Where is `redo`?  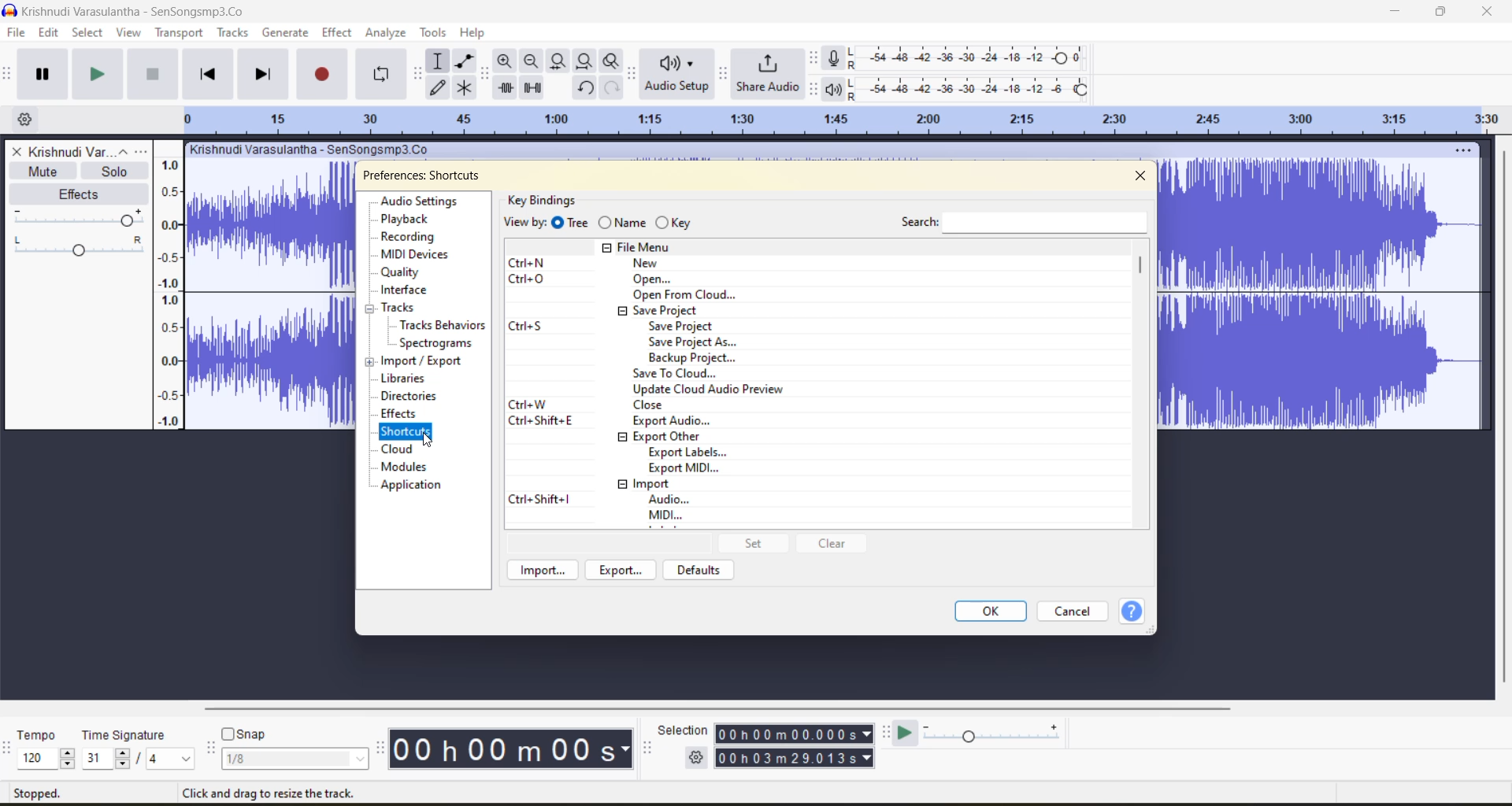 redo is located at coordinates (612, 87).